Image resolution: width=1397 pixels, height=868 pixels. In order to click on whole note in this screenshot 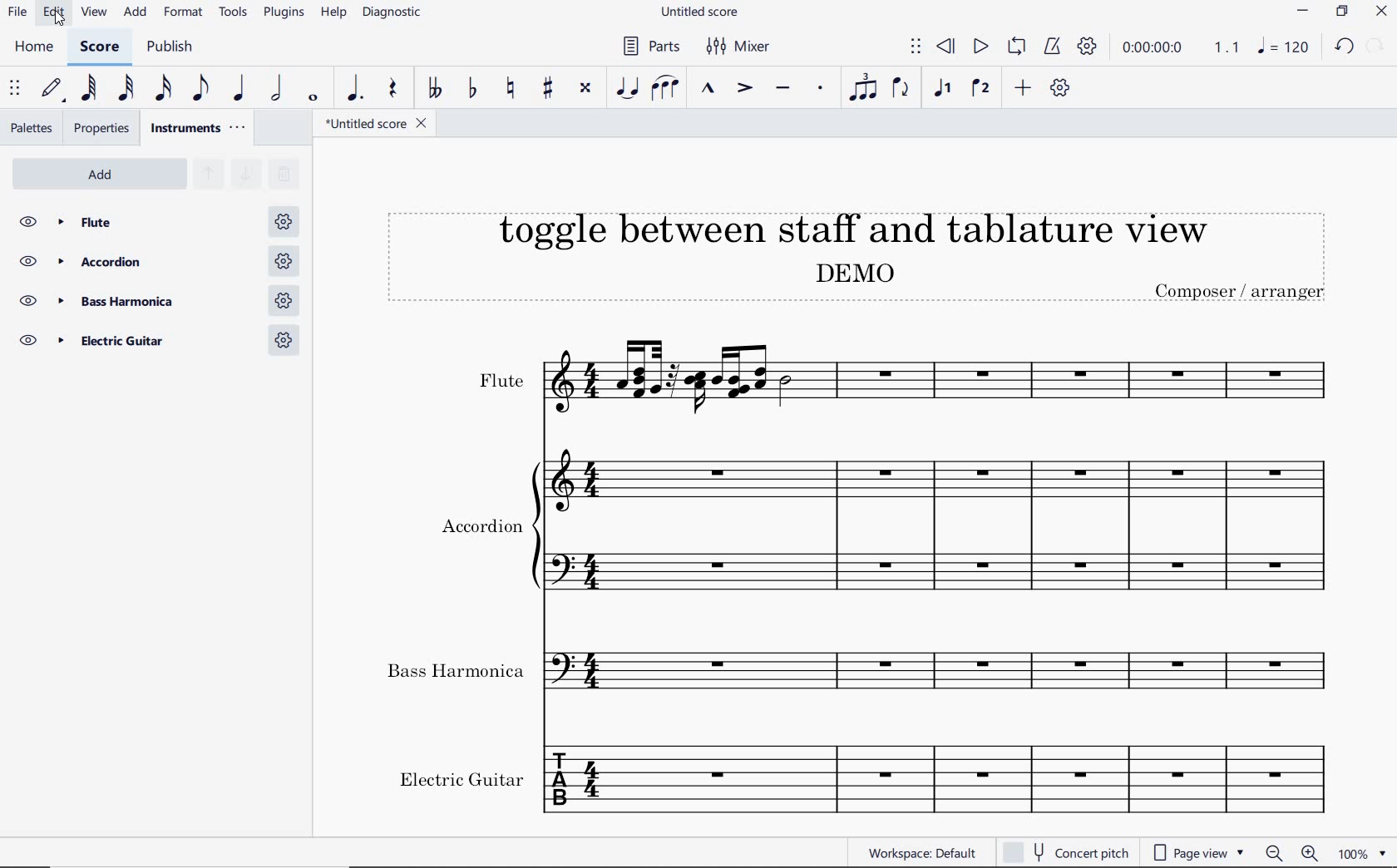, I will do `click(313, 96)`.